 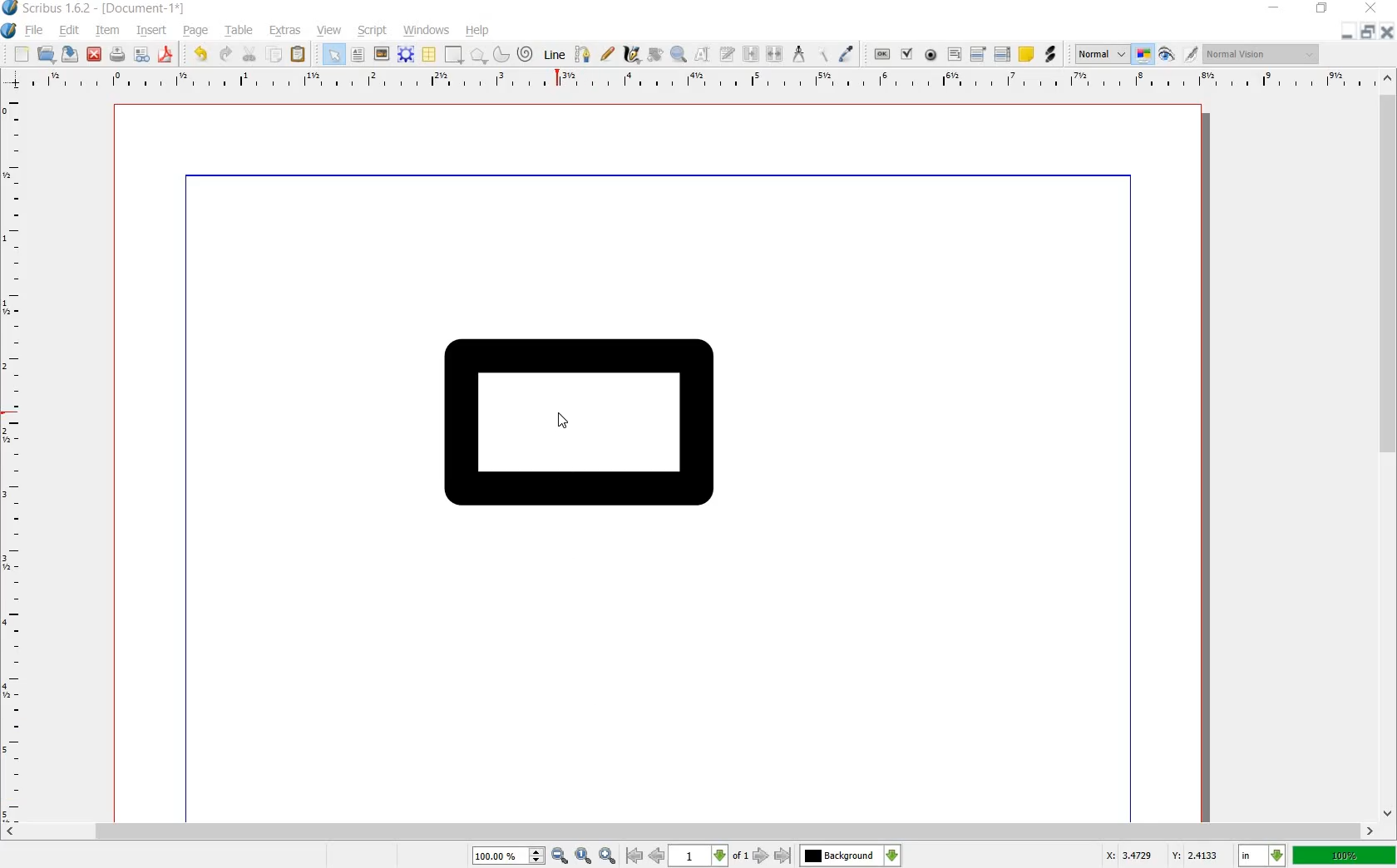 What do you see at coordinates (1261, 856) in the screenshot?
I see `set unit` at bounding box center [1261, 856].